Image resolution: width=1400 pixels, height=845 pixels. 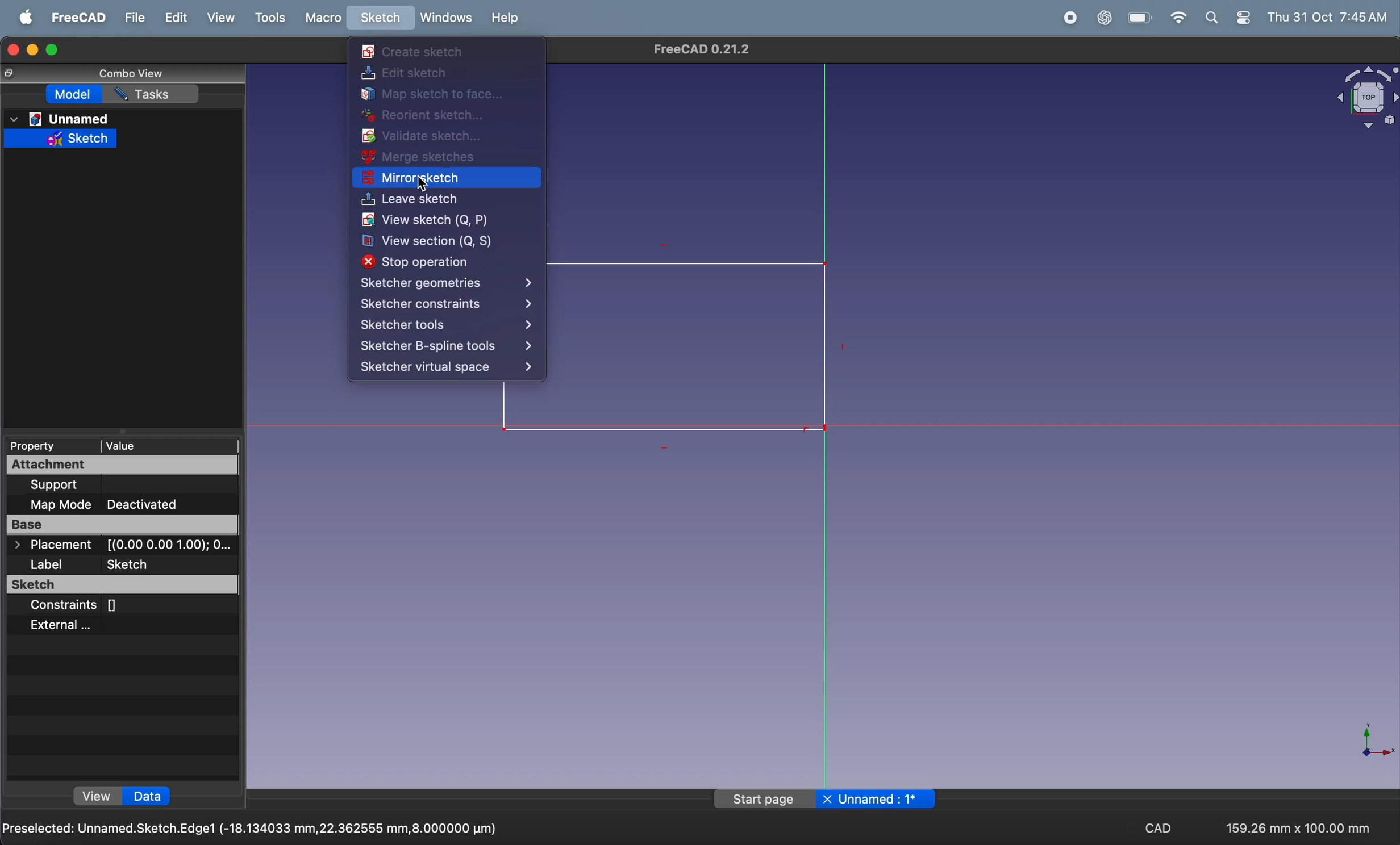 What do you see at coordinates (77, 96) in the screenshot?
I see `model` at bounding box center [77, 96].